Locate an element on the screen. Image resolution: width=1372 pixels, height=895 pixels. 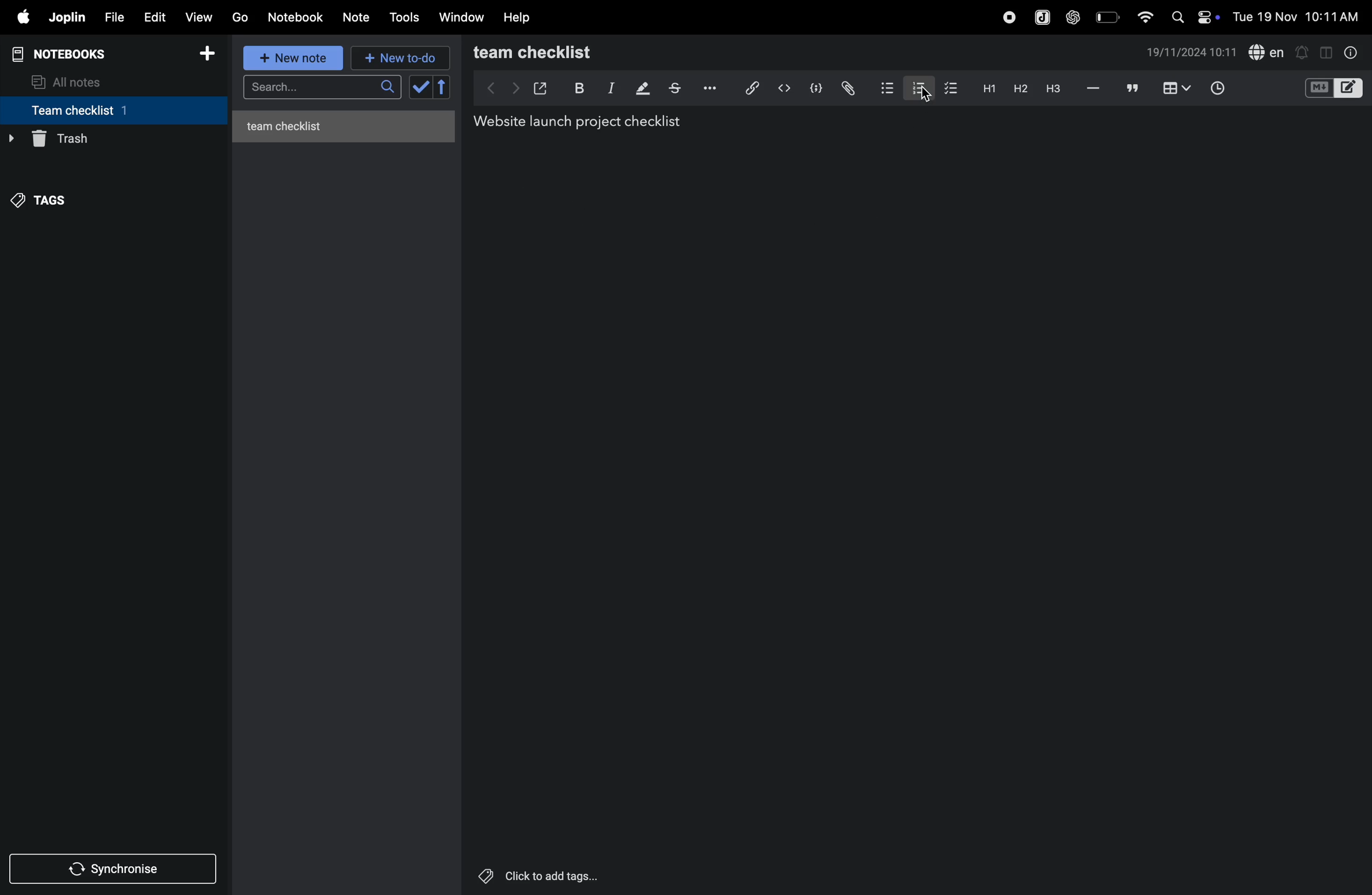
strike through is located at coordinates (674, 88).